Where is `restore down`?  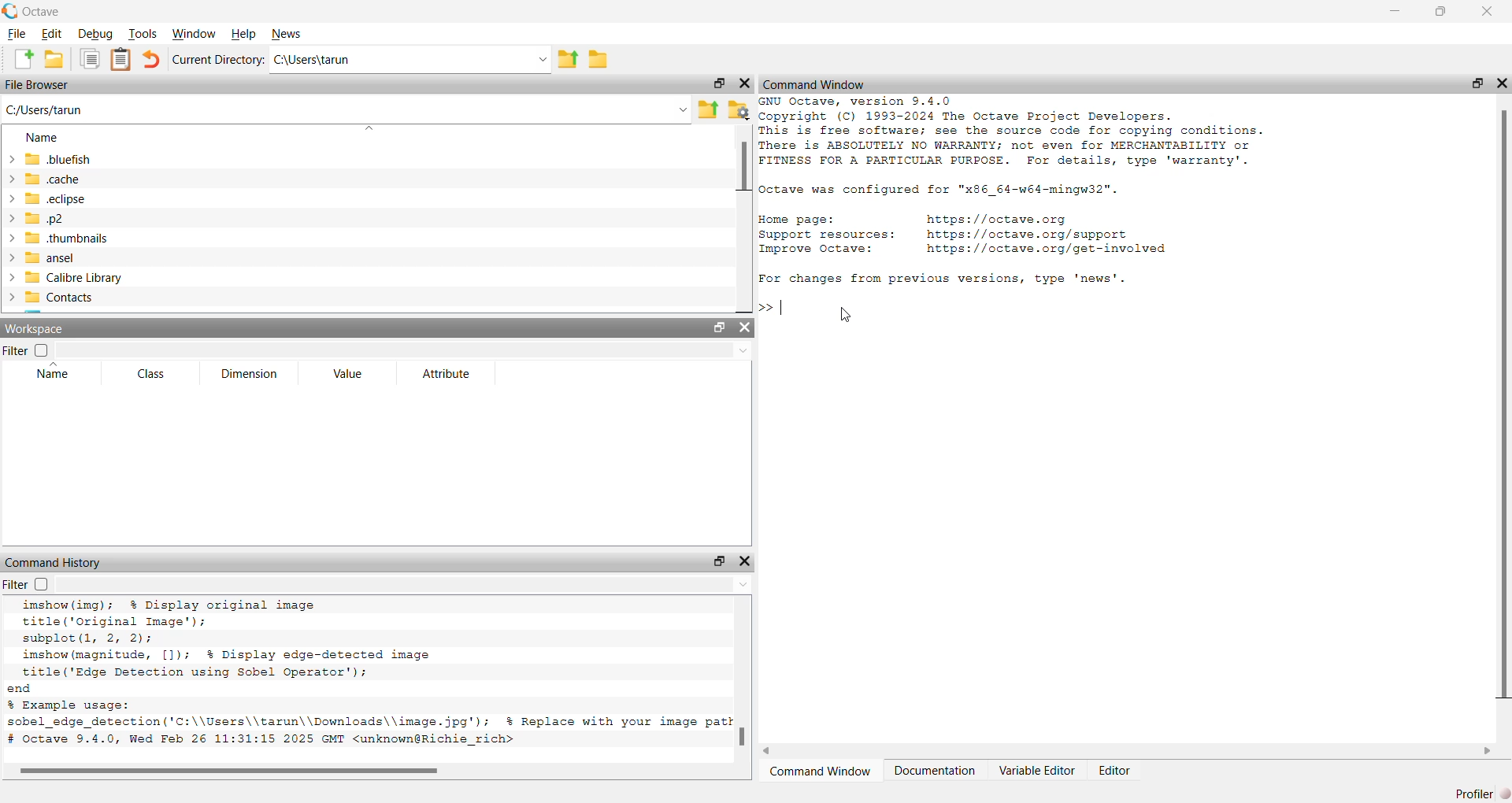 restore down is located at coordinates (721, 561).